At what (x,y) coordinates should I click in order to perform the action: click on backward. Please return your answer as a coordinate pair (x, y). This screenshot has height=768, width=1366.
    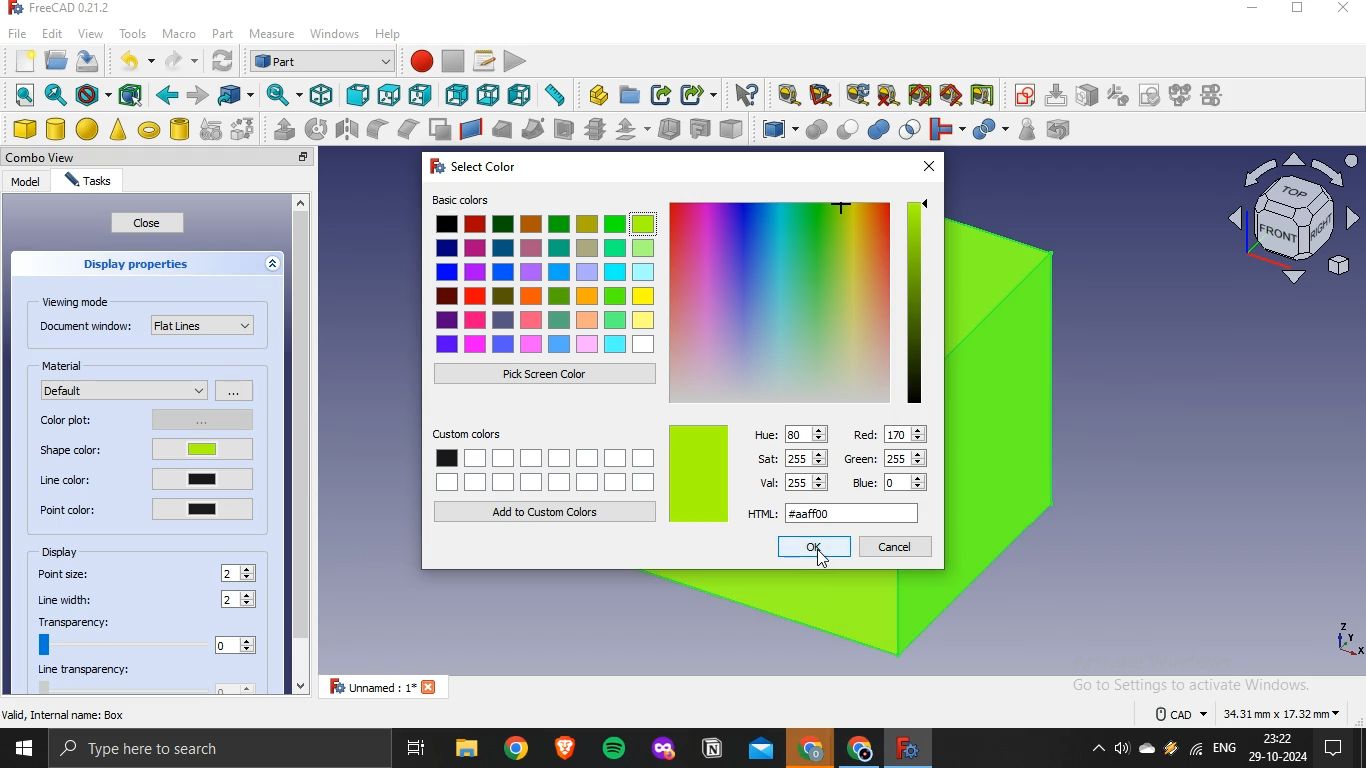
    Looking at the image, I should click on (166, 95).